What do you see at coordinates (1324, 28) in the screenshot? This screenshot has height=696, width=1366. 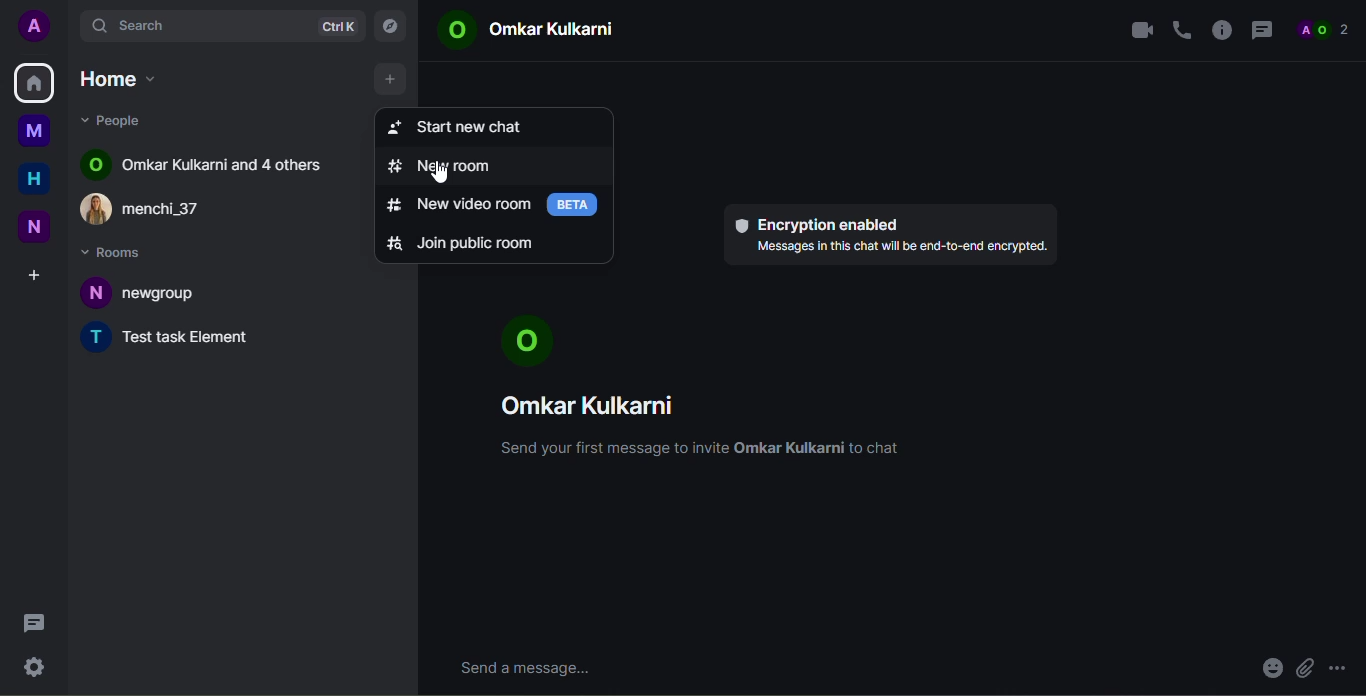 I see `people` at bounding box center [1324, 28].